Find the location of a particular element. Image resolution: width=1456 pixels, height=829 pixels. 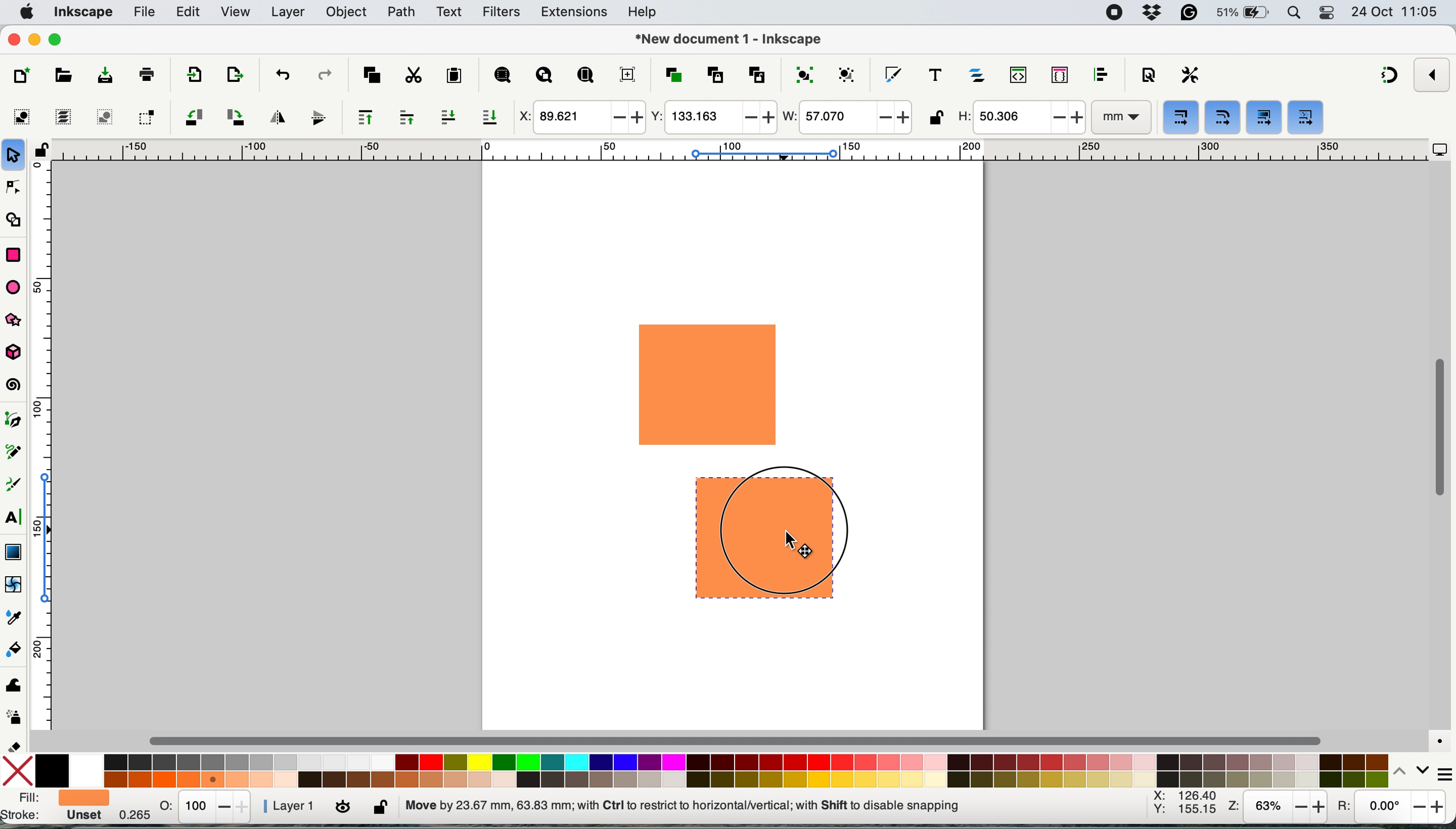

zoom center page is located at coordinates (627, 74).